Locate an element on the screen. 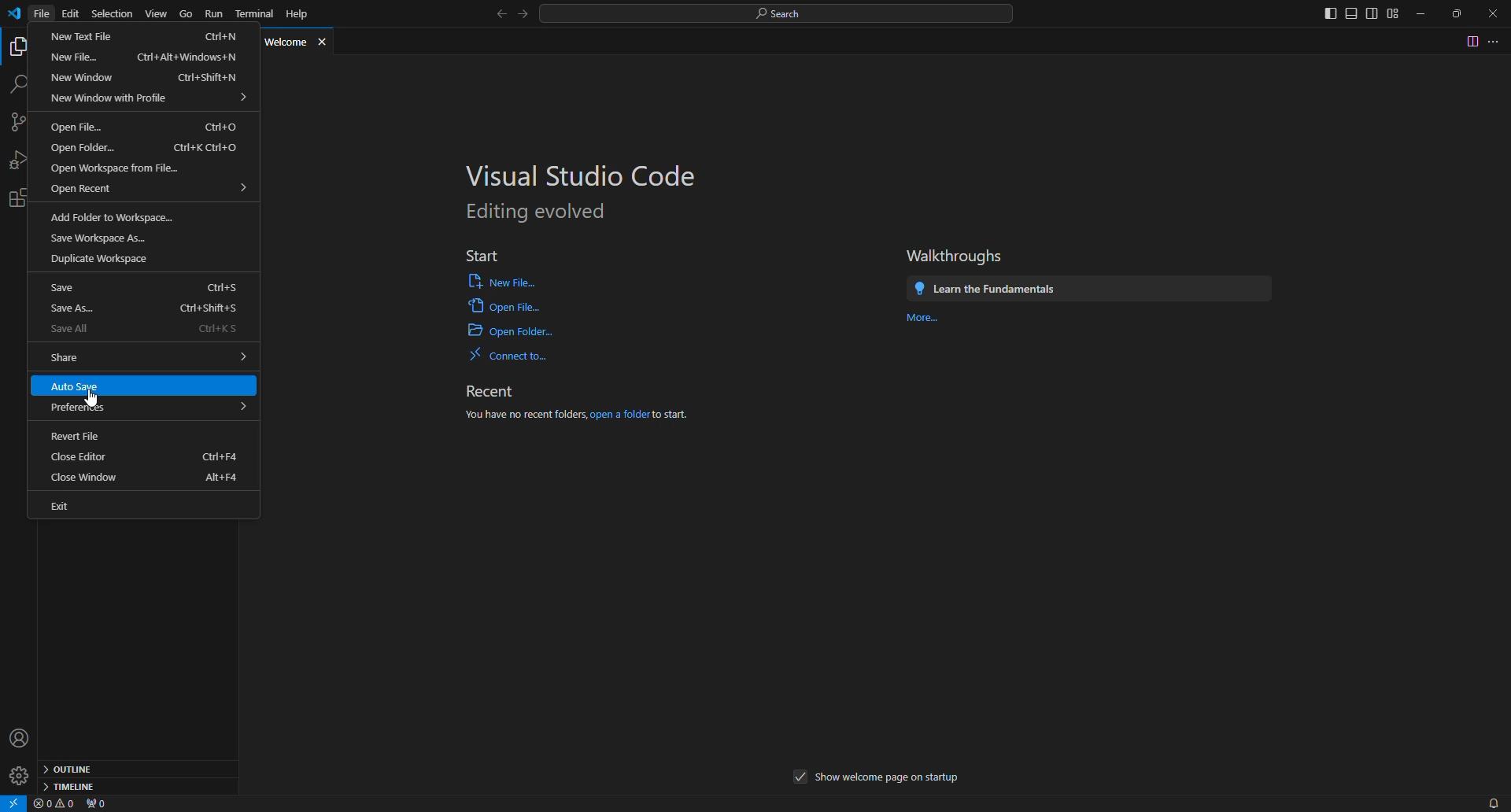 This screenshot has height=812, width=1511. open folder is located at coordinates (83, 149).